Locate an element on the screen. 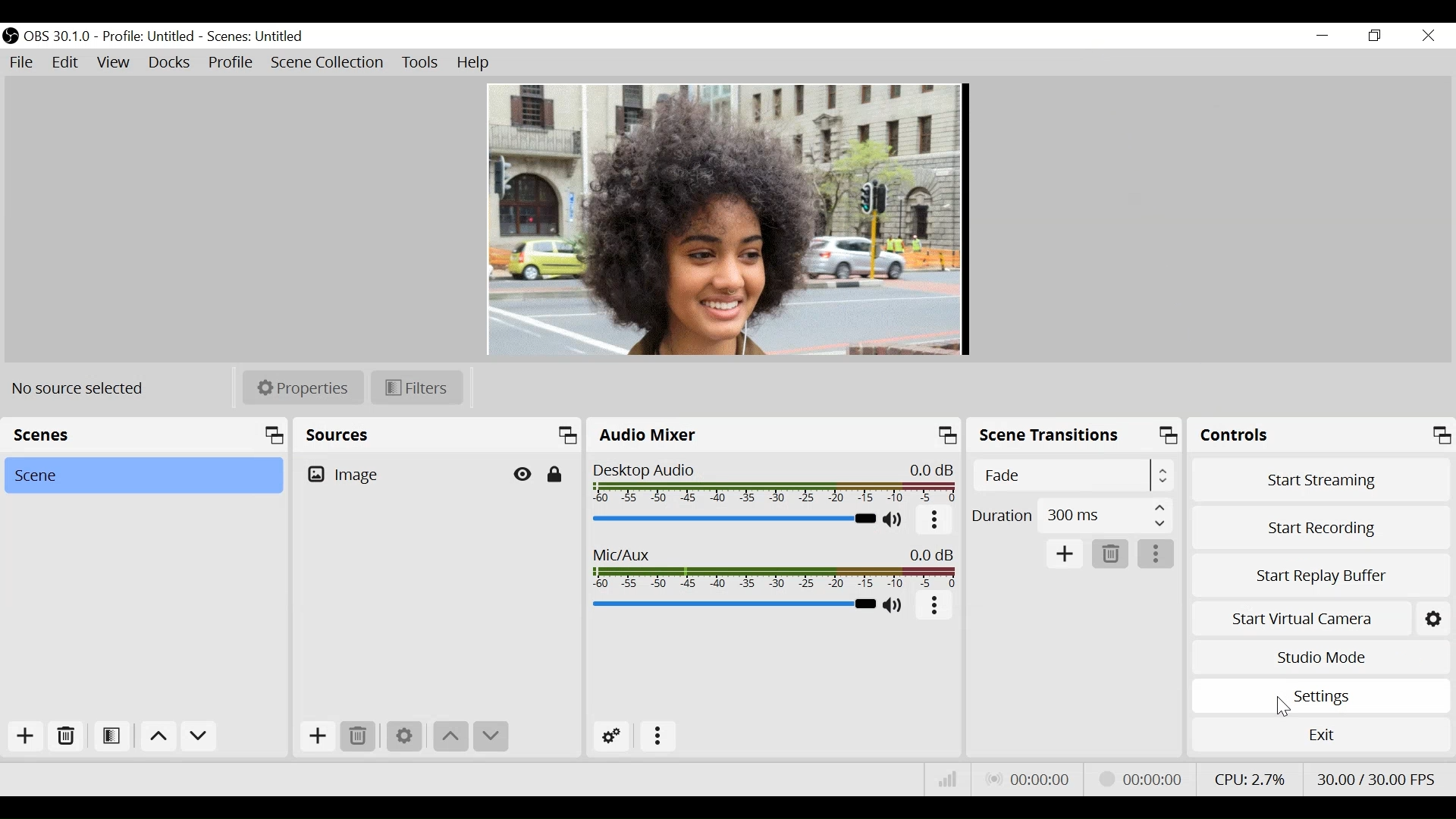 This screenshot has width=1456, height=819. Add Scene is located at coordinates (30, 739).